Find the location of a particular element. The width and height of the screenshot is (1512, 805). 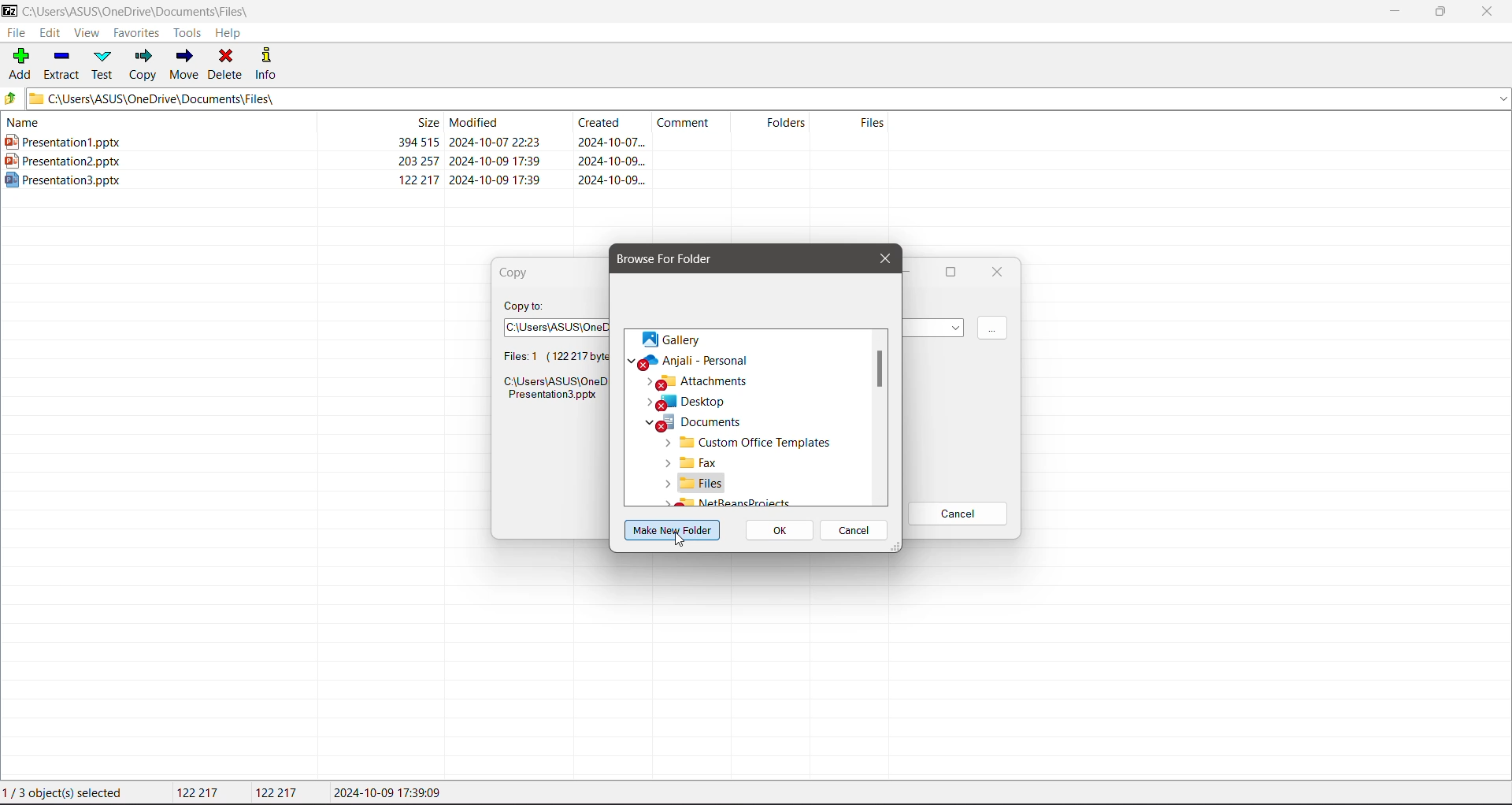

Close is located at coordinates (1492, 12).